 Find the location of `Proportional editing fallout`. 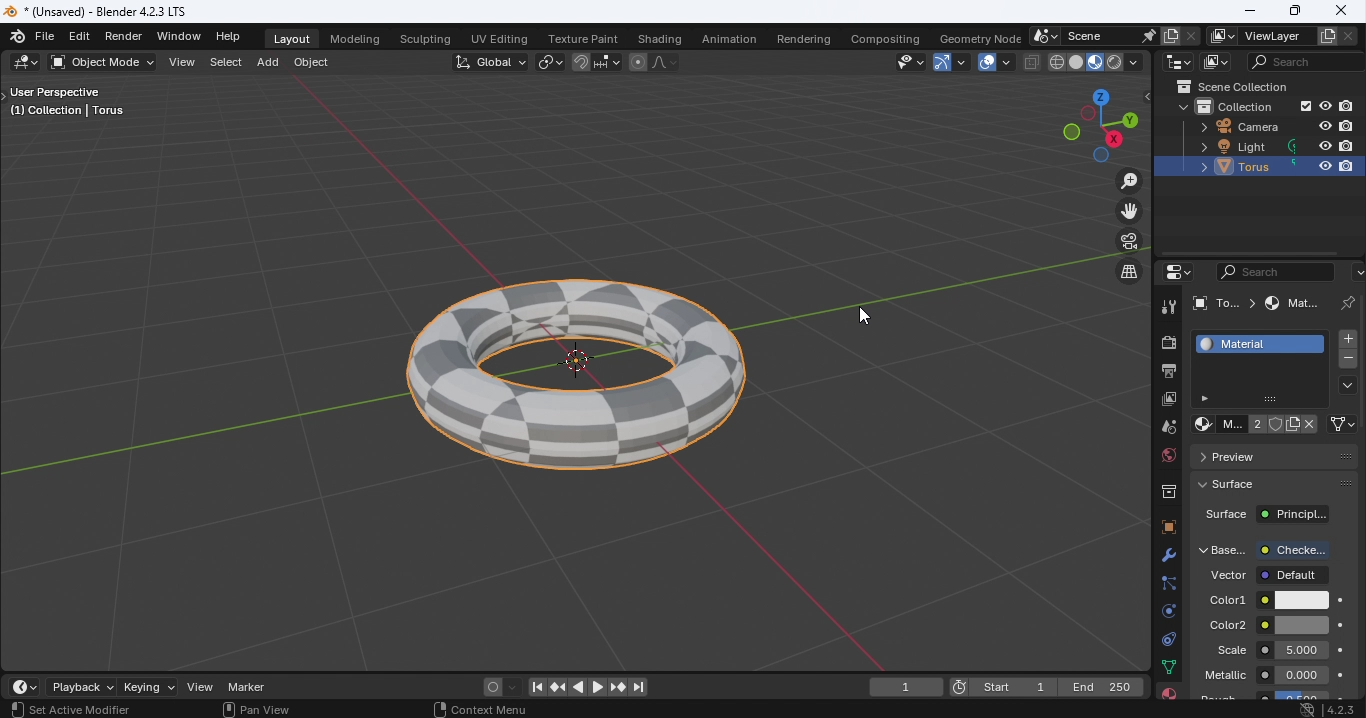

Proportional editing fallout is located at coordinates (664, 60).